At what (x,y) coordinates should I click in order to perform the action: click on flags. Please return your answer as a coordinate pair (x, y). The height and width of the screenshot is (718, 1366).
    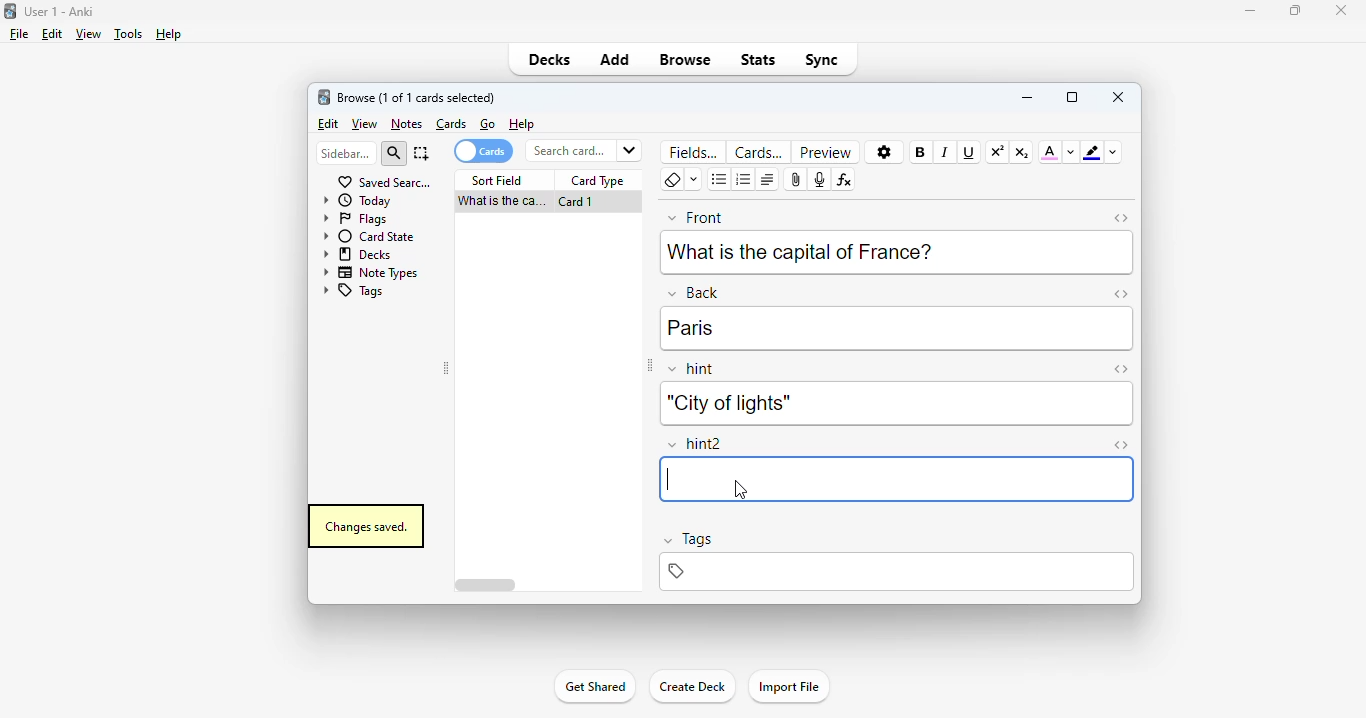
    Looking at the image, I should click on (353, 218).